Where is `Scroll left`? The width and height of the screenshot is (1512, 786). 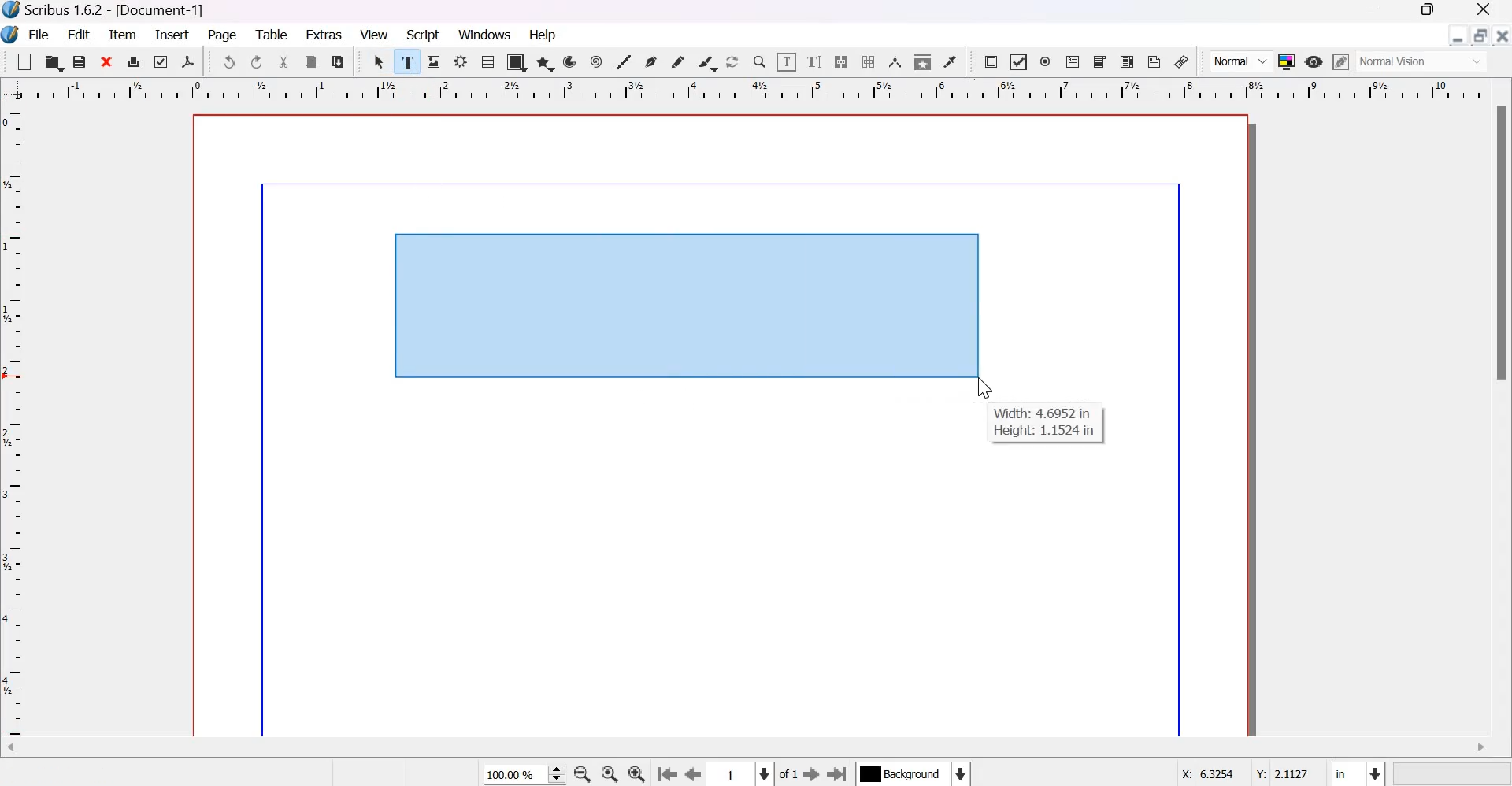
Scroll left is located at coordinates (24, 750).